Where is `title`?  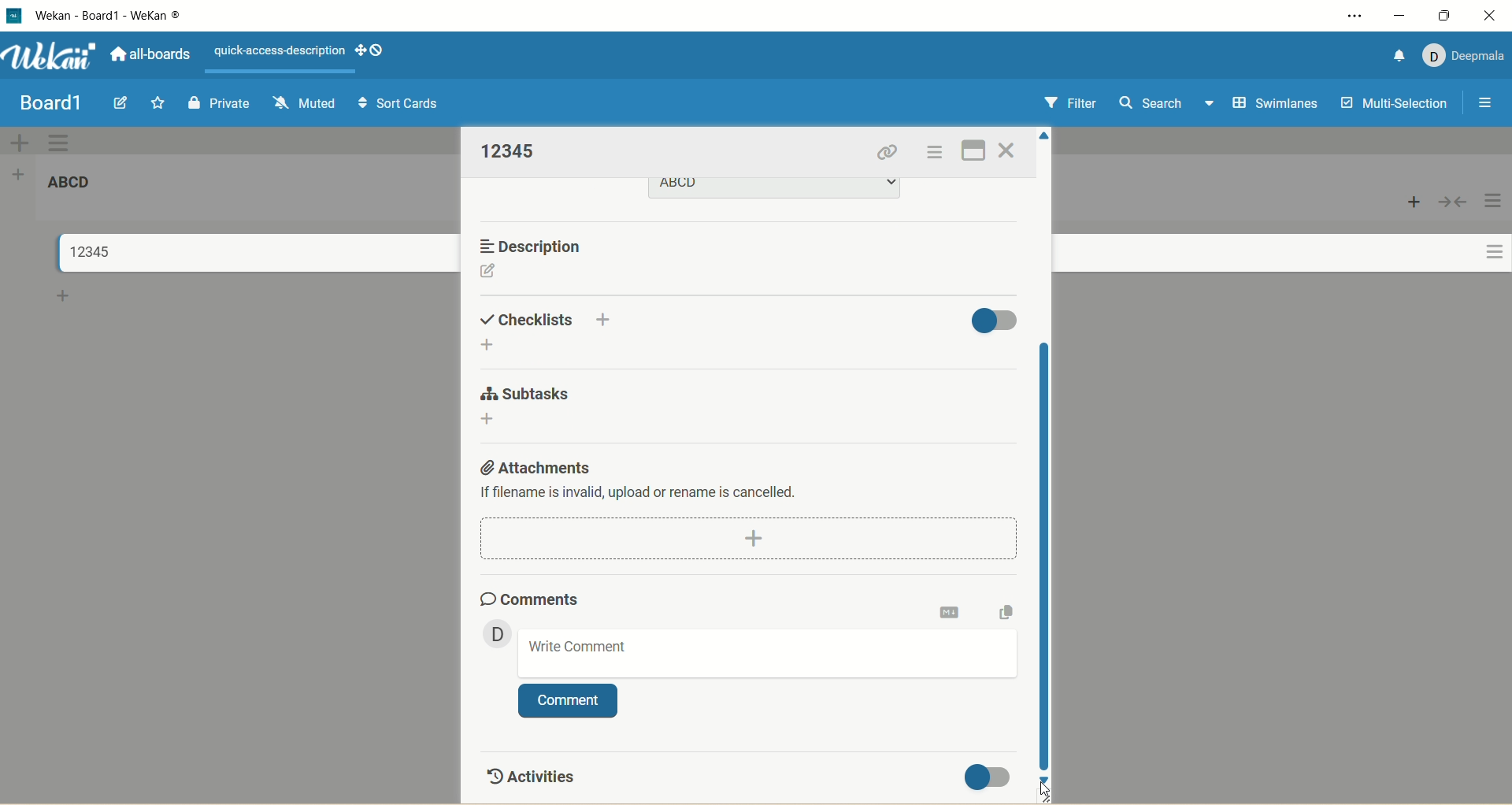 title is located at coordinates (136, 16).